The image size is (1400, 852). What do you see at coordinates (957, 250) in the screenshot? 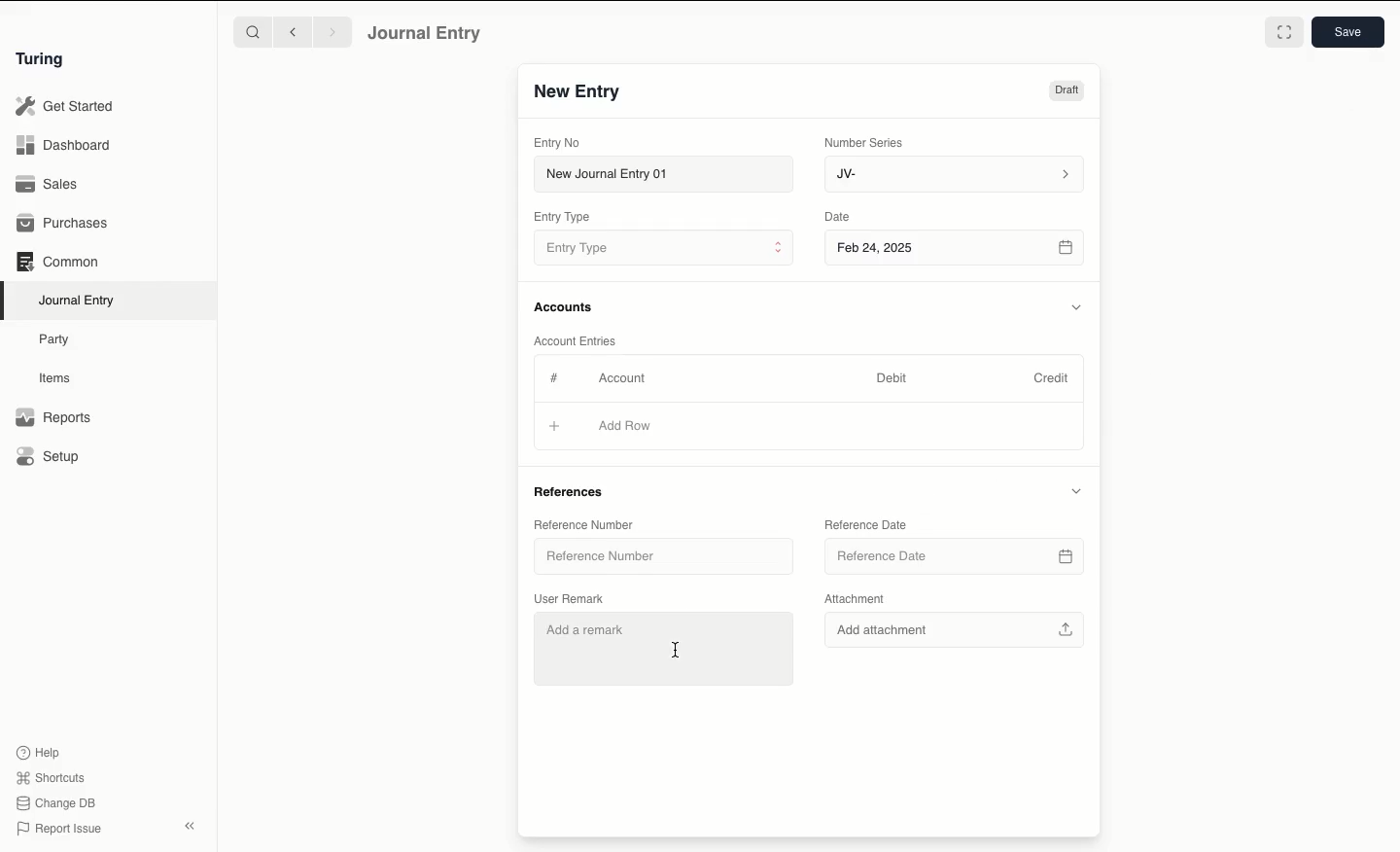
I see `Feb 24, 2025` at bounding box center [957, 250].